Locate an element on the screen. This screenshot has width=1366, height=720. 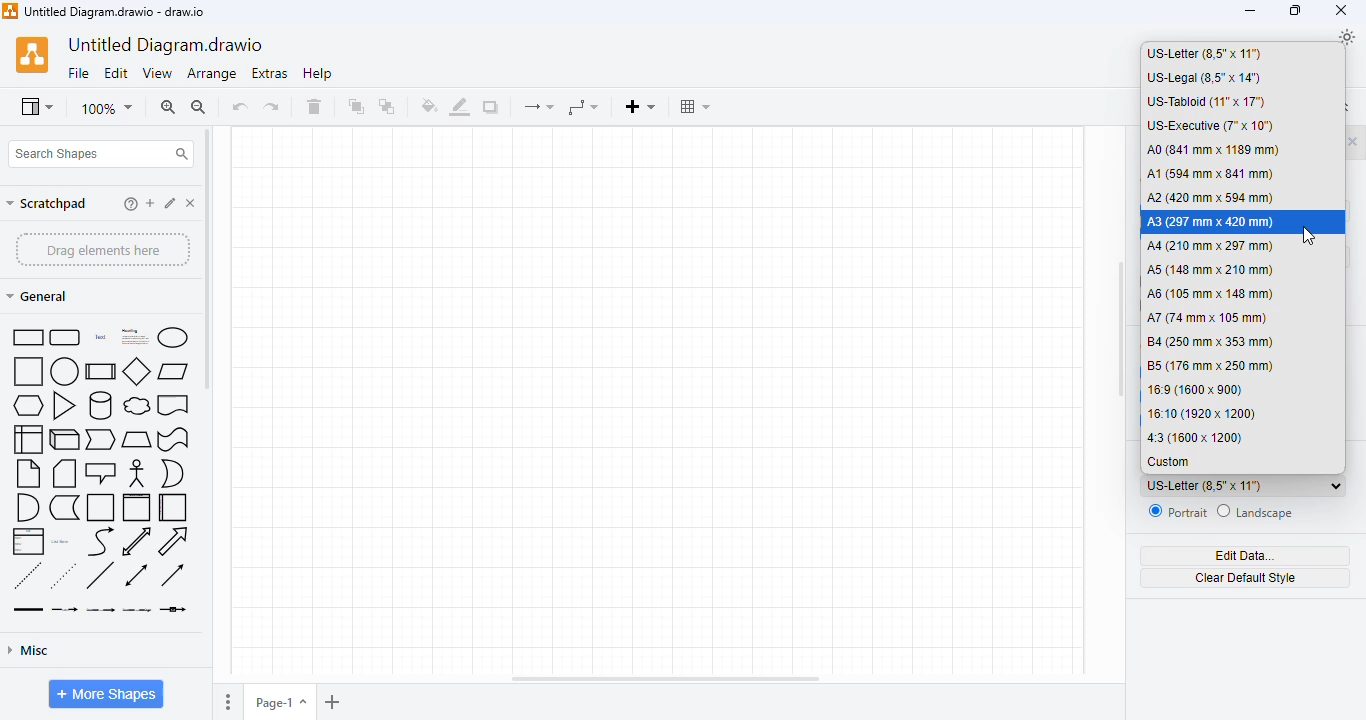
US-Letter is located at coordinates (1242, 485).